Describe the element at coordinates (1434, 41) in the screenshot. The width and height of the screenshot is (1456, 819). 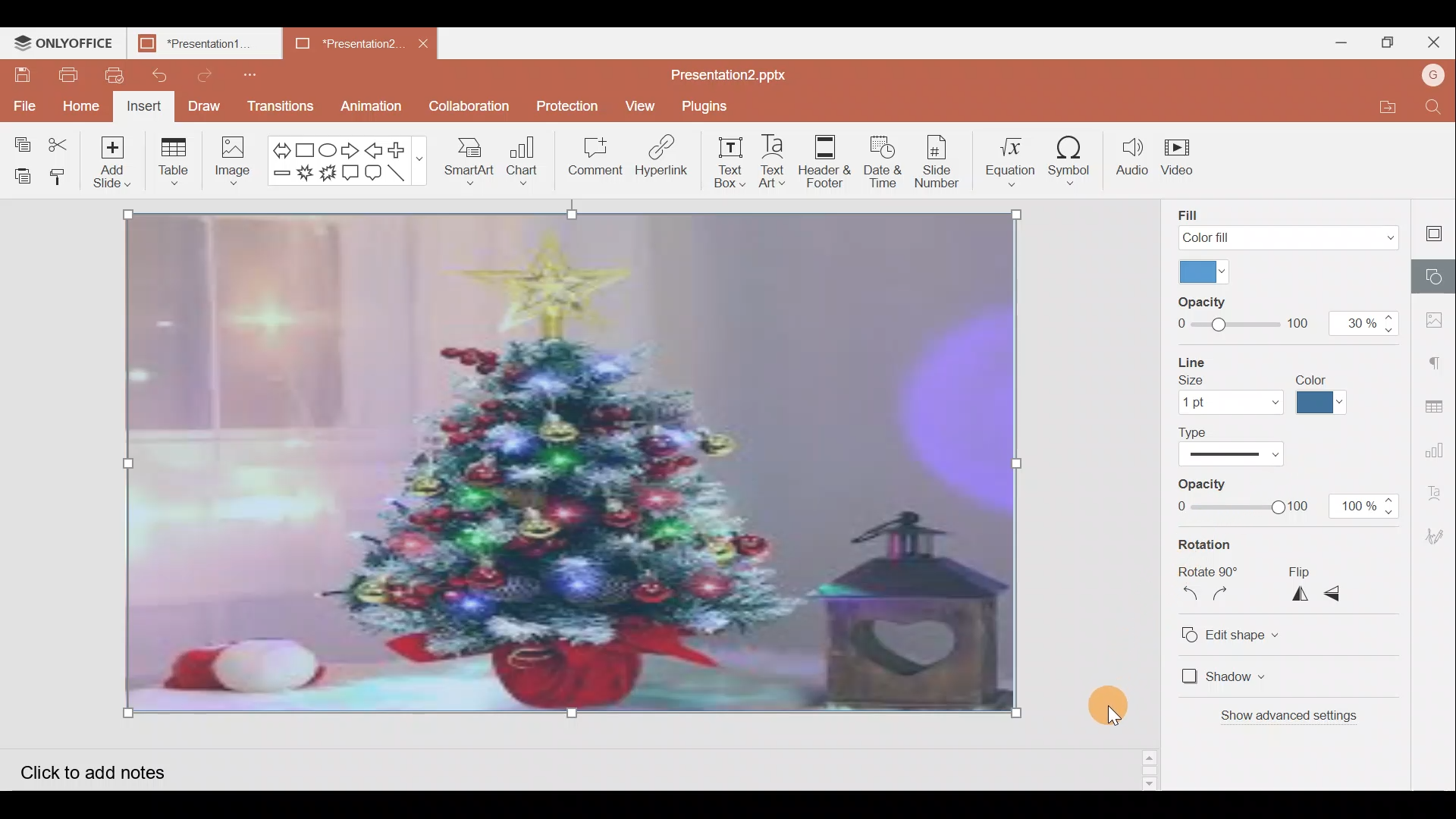
I see `Close` at that location.